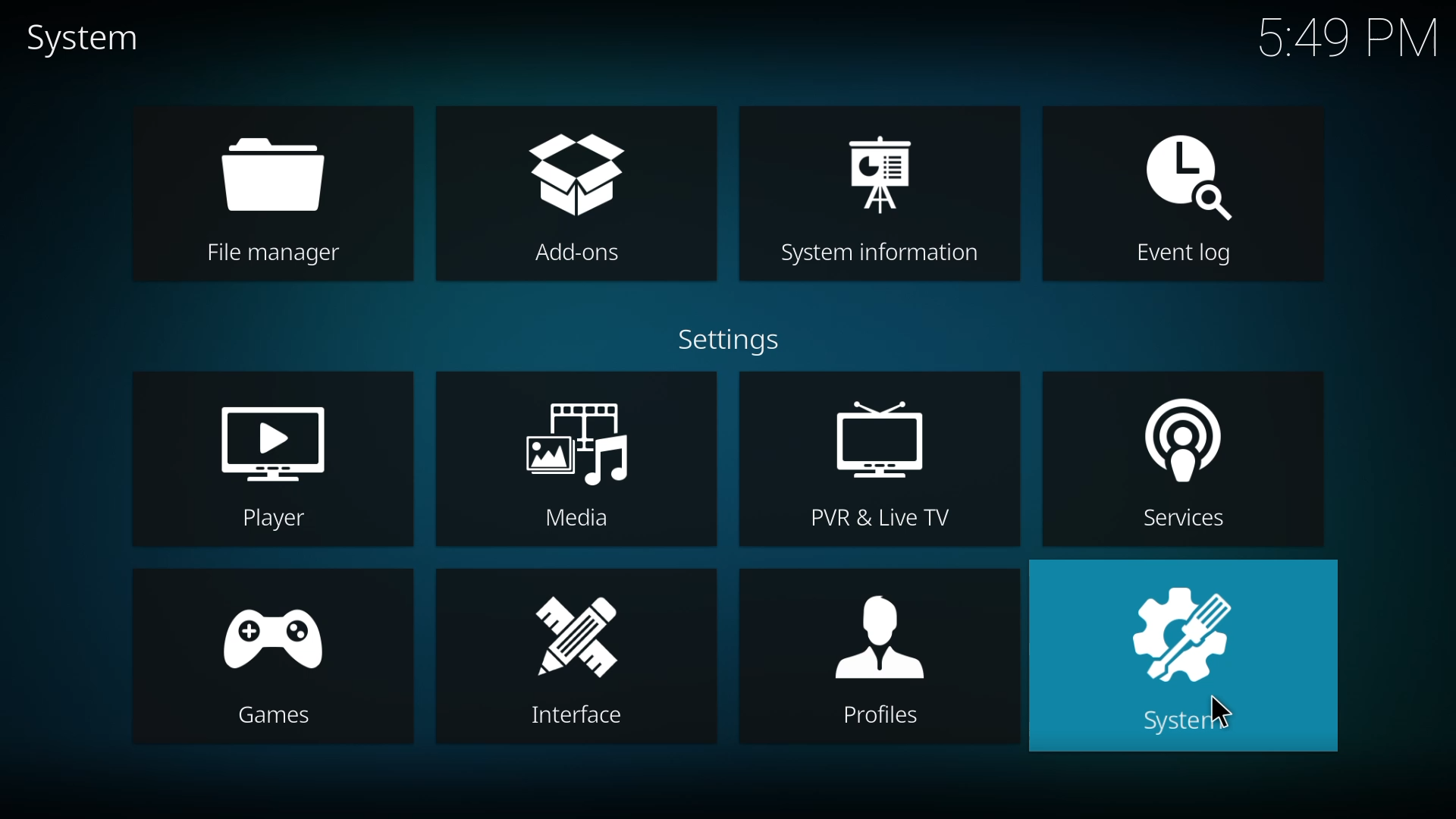  Describe the element at coordinates (1184, 196) in the screenshot. I see `event log` at that location.